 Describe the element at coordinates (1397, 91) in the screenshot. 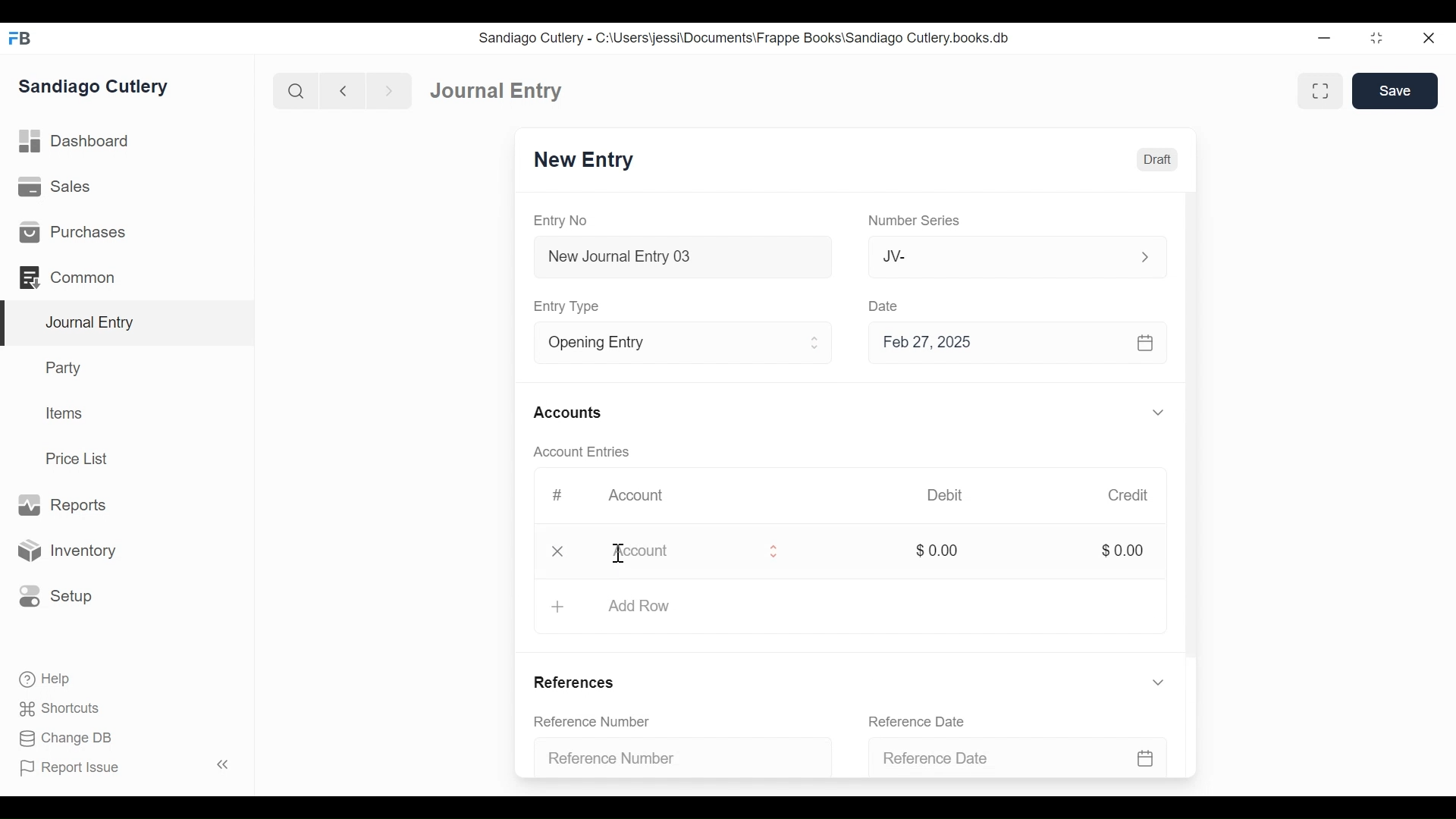

I see `Save` at that location.